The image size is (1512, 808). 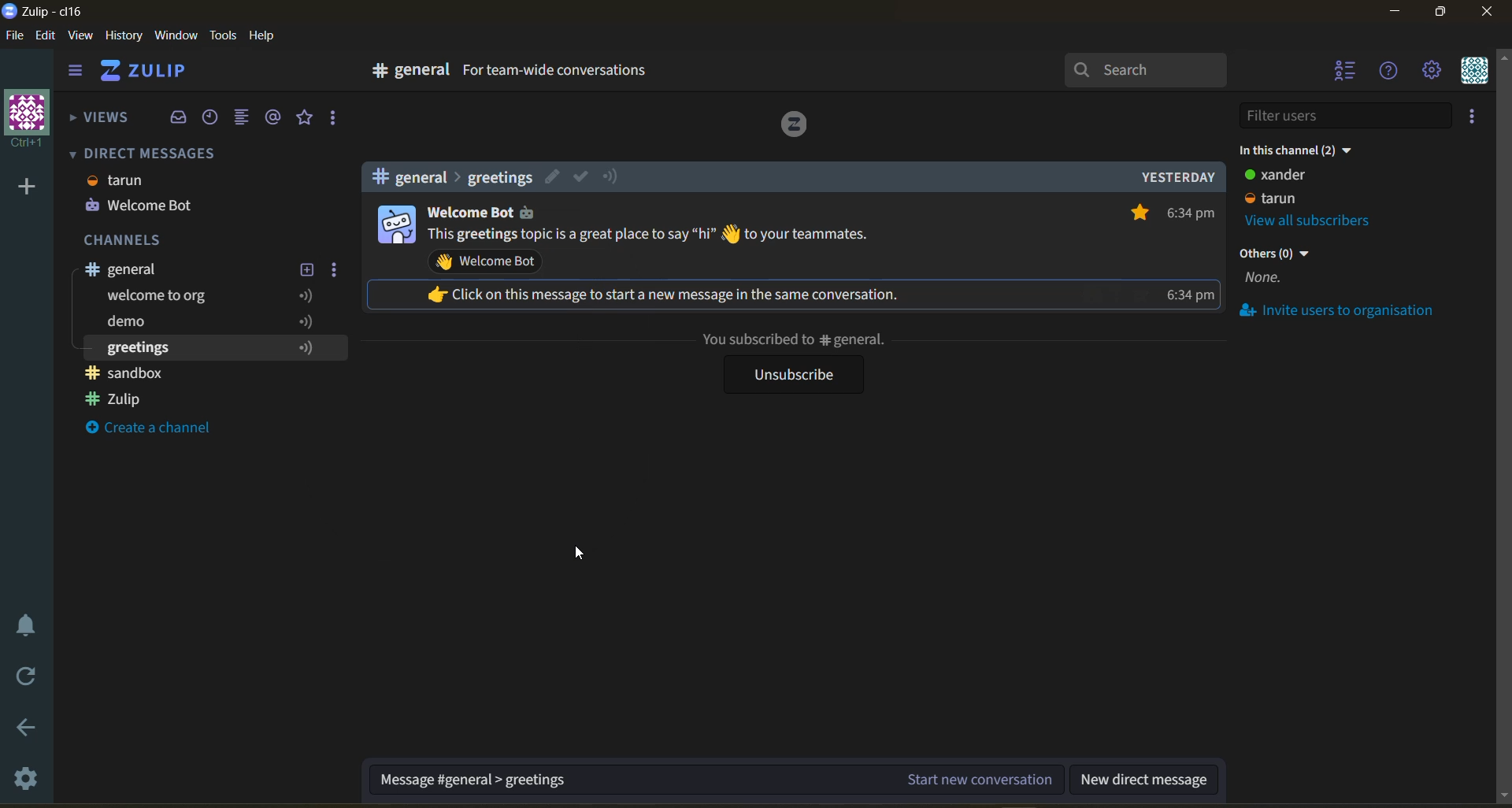 I want to click on views, so click(x=98, y=123).